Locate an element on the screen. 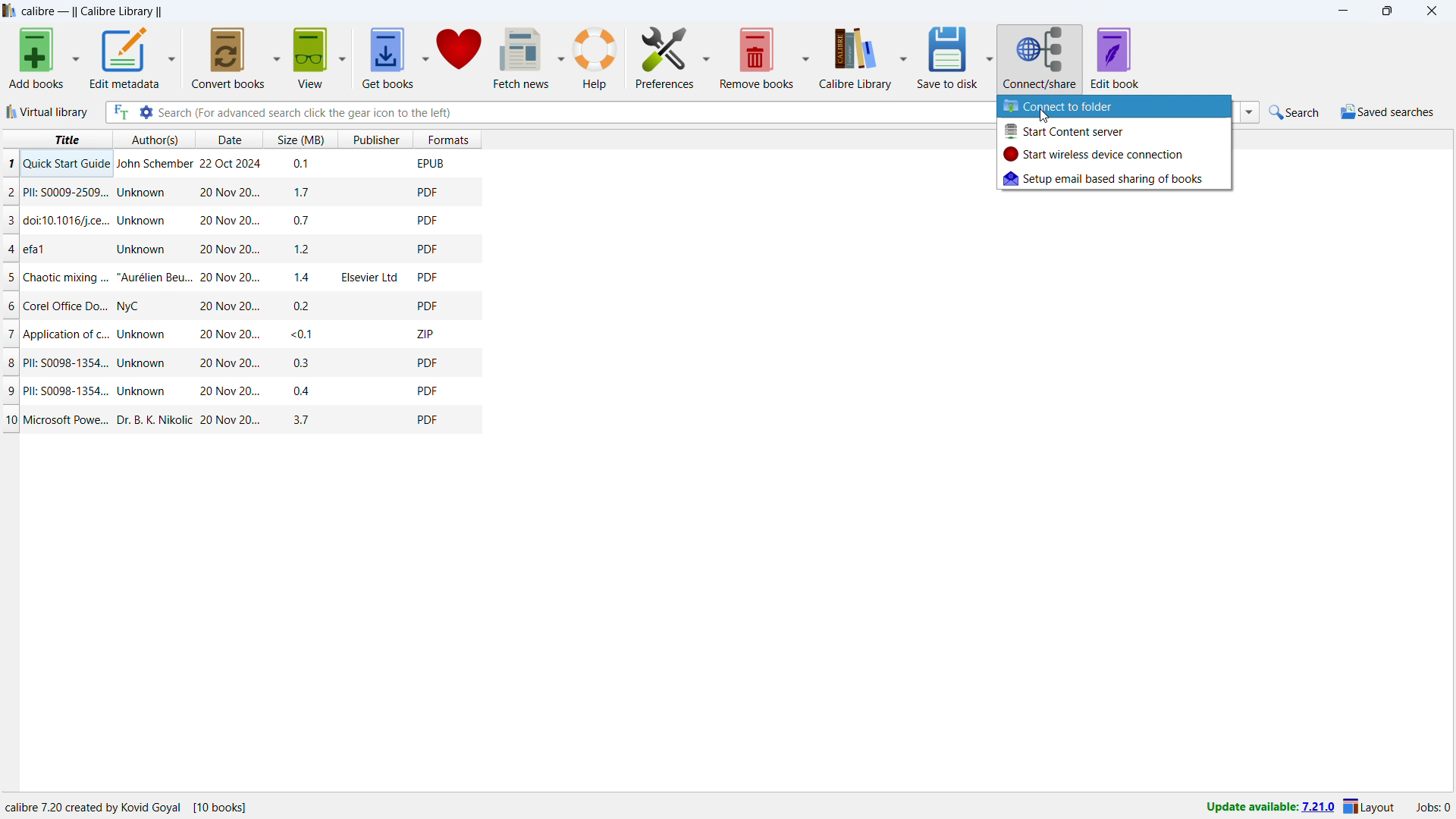  one book entry is located at coordinates (243, 420).